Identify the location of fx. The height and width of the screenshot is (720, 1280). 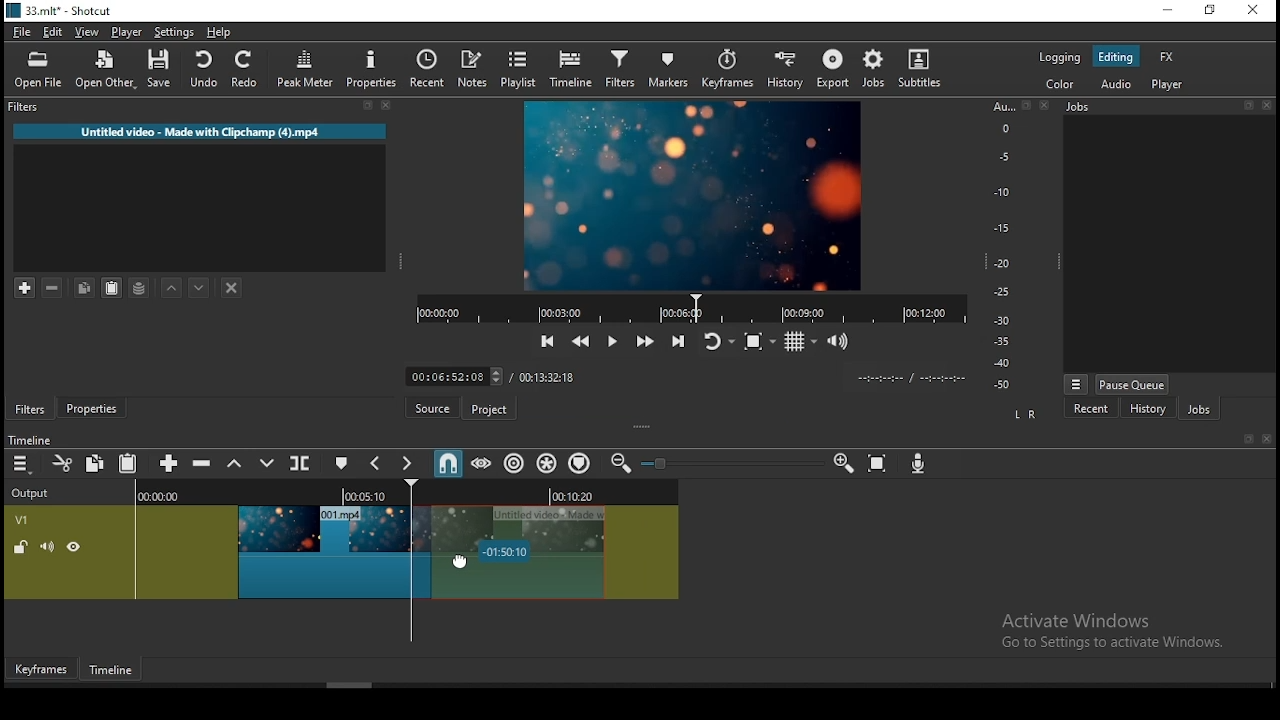
(1166, 56).